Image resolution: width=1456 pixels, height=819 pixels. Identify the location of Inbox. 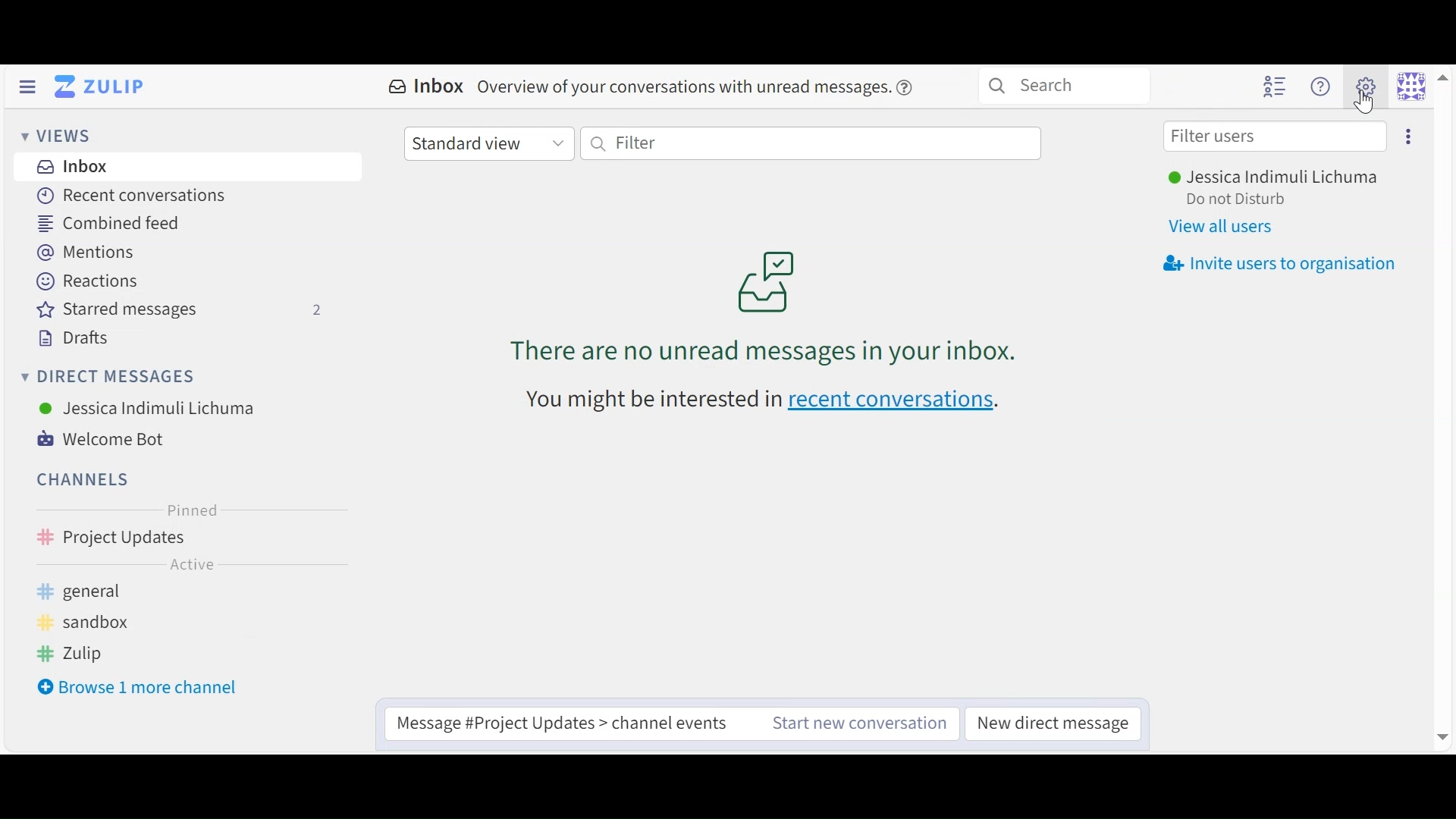
(427, 85).